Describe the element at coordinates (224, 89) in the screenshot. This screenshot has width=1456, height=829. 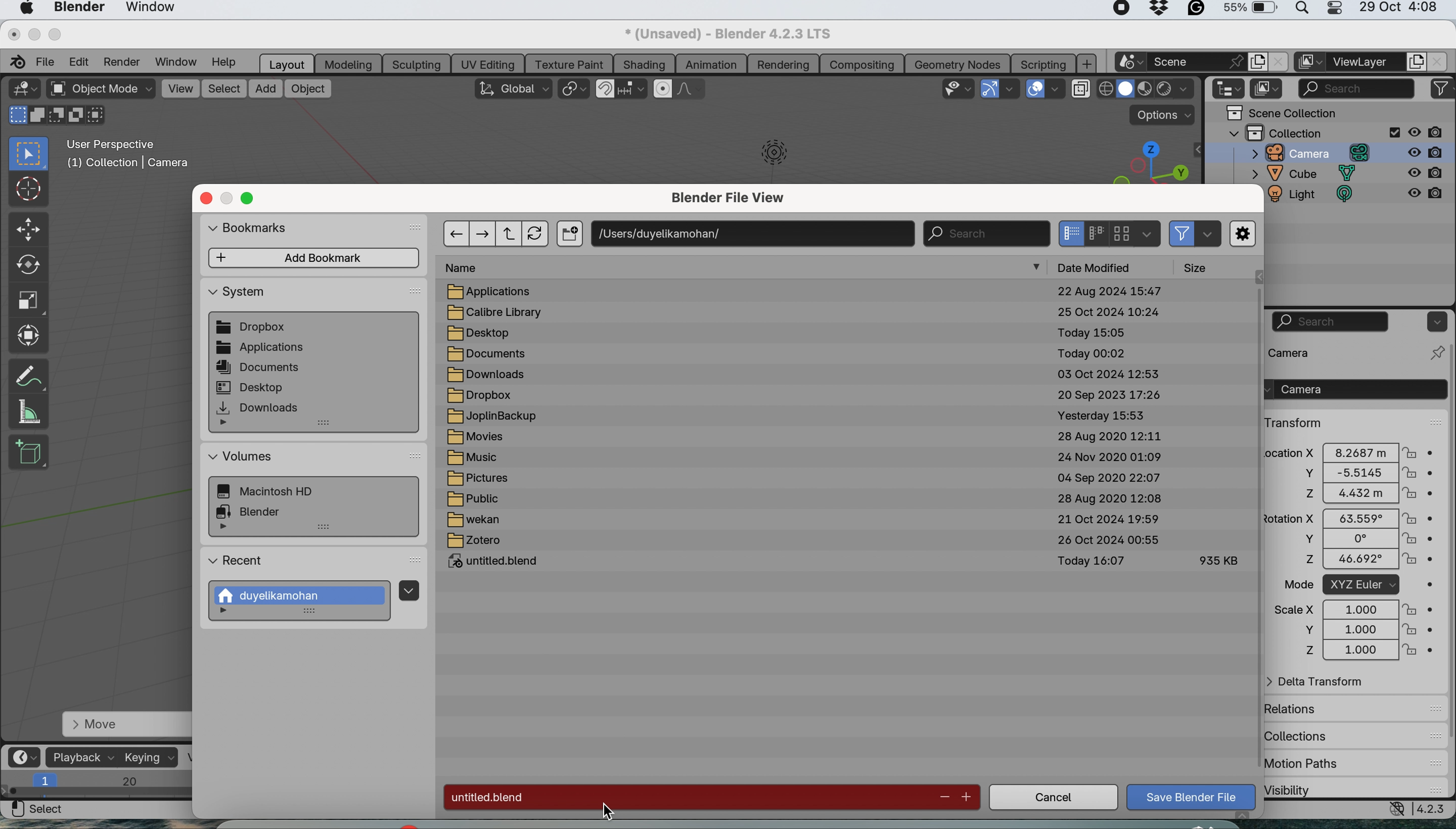
I see `select` at that location.